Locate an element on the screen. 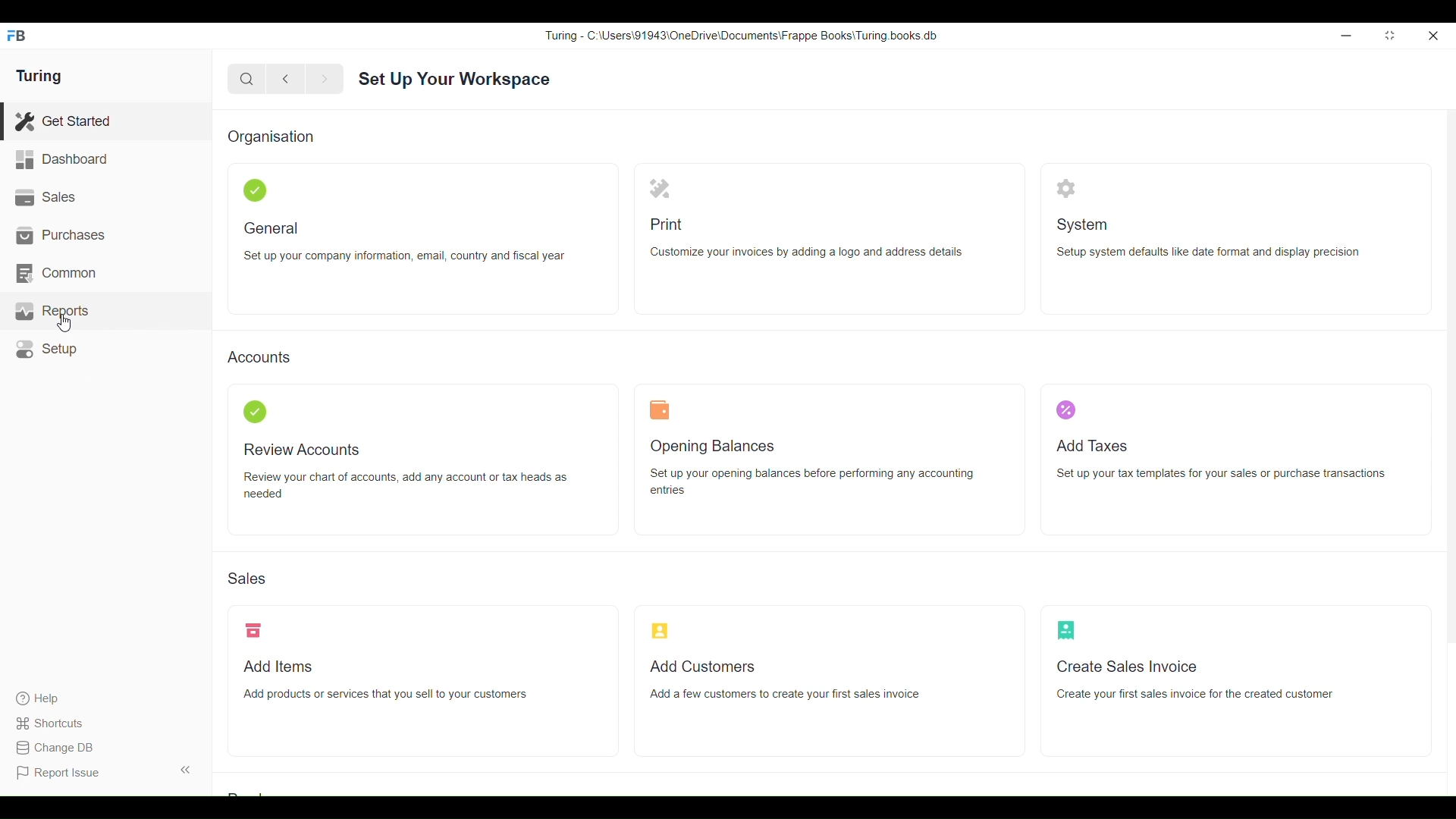 The height and width of the screenshot is (819, 1456). Help is located at coordinates (52, 698).